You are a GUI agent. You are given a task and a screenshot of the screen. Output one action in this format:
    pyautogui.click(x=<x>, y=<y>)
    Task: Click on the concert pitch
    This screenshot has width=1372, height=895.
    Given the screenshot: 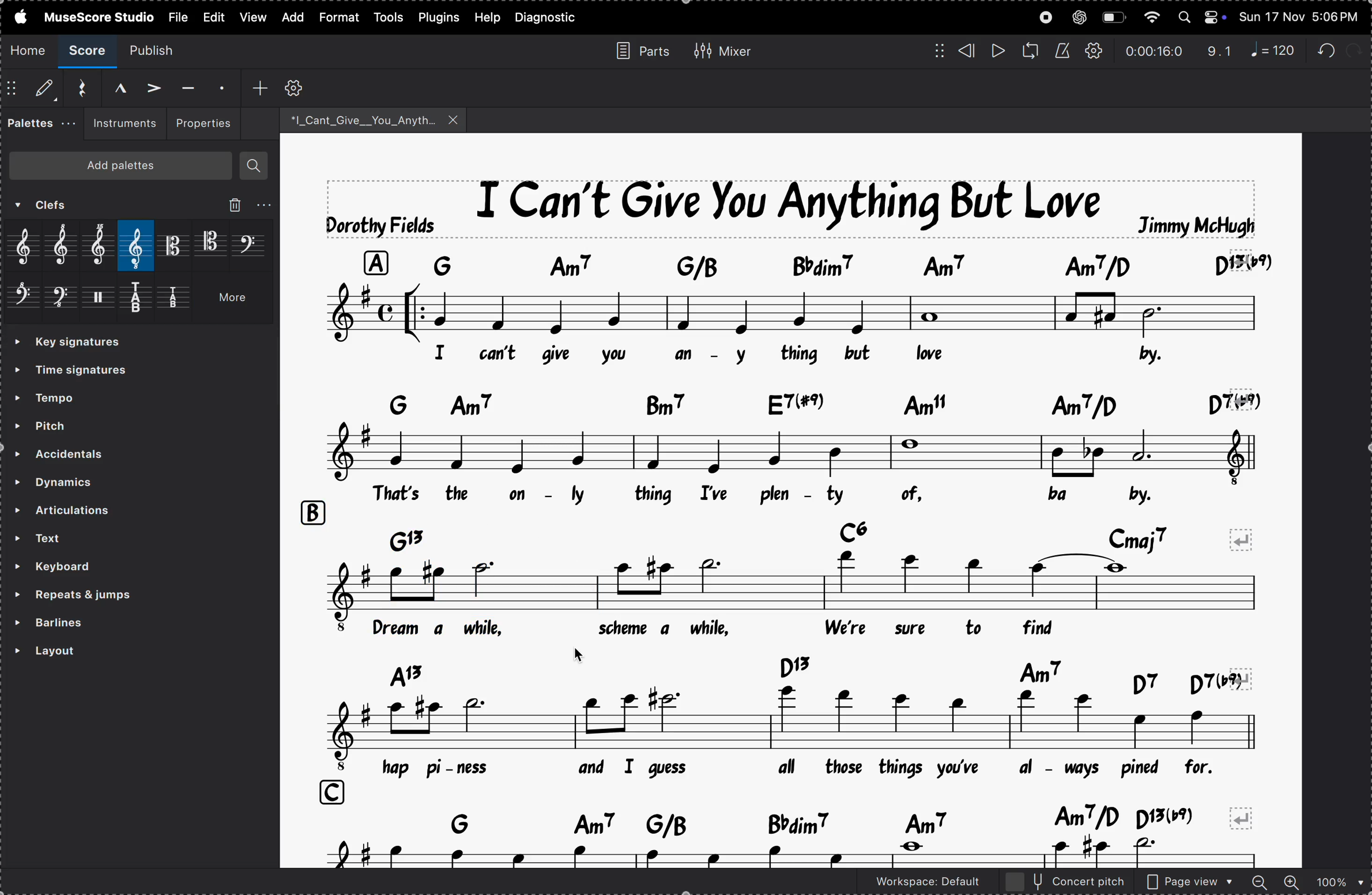 What is the action you would take?
    pyautogui.click(x=1066, y=882)
    